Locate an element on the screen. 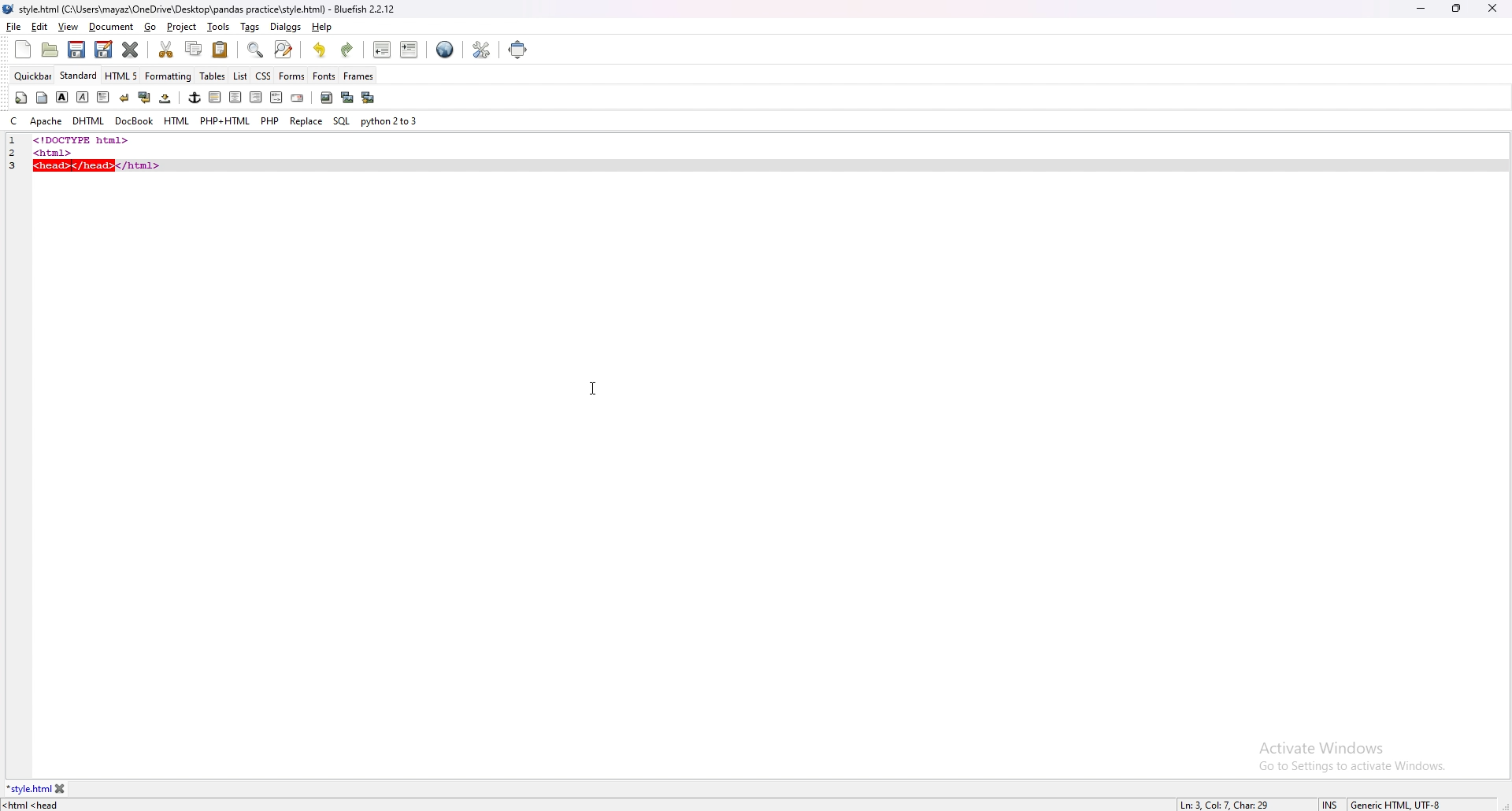 Image resolution: width=1512 pixels, height=811 pixels. resize is located at coordinates (1456, 8).